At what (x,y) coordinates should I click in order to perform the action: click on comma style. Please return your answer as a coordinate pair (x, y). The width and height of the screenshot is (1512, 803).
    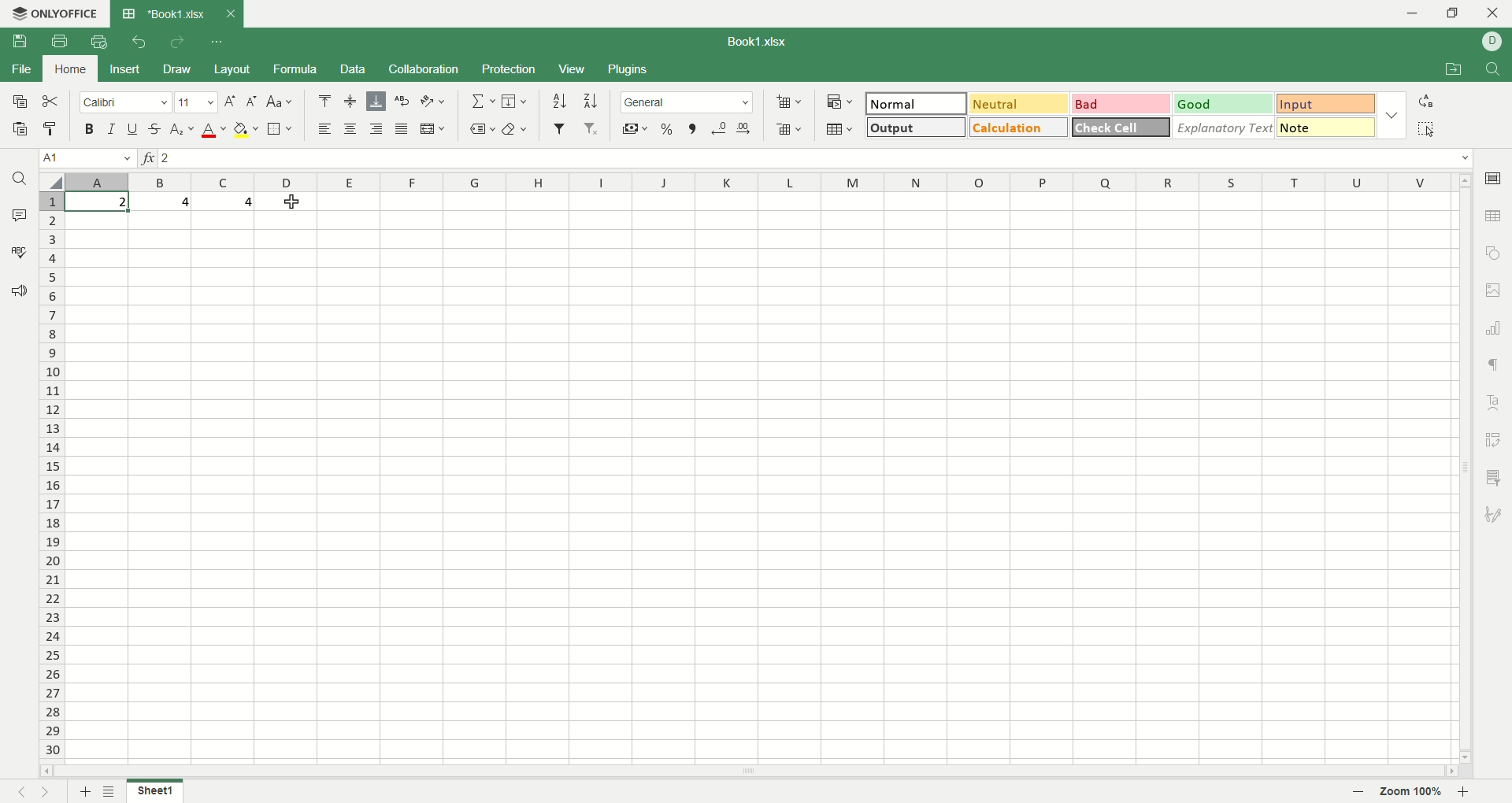
    Looking at the image, I should click on (692, 128).